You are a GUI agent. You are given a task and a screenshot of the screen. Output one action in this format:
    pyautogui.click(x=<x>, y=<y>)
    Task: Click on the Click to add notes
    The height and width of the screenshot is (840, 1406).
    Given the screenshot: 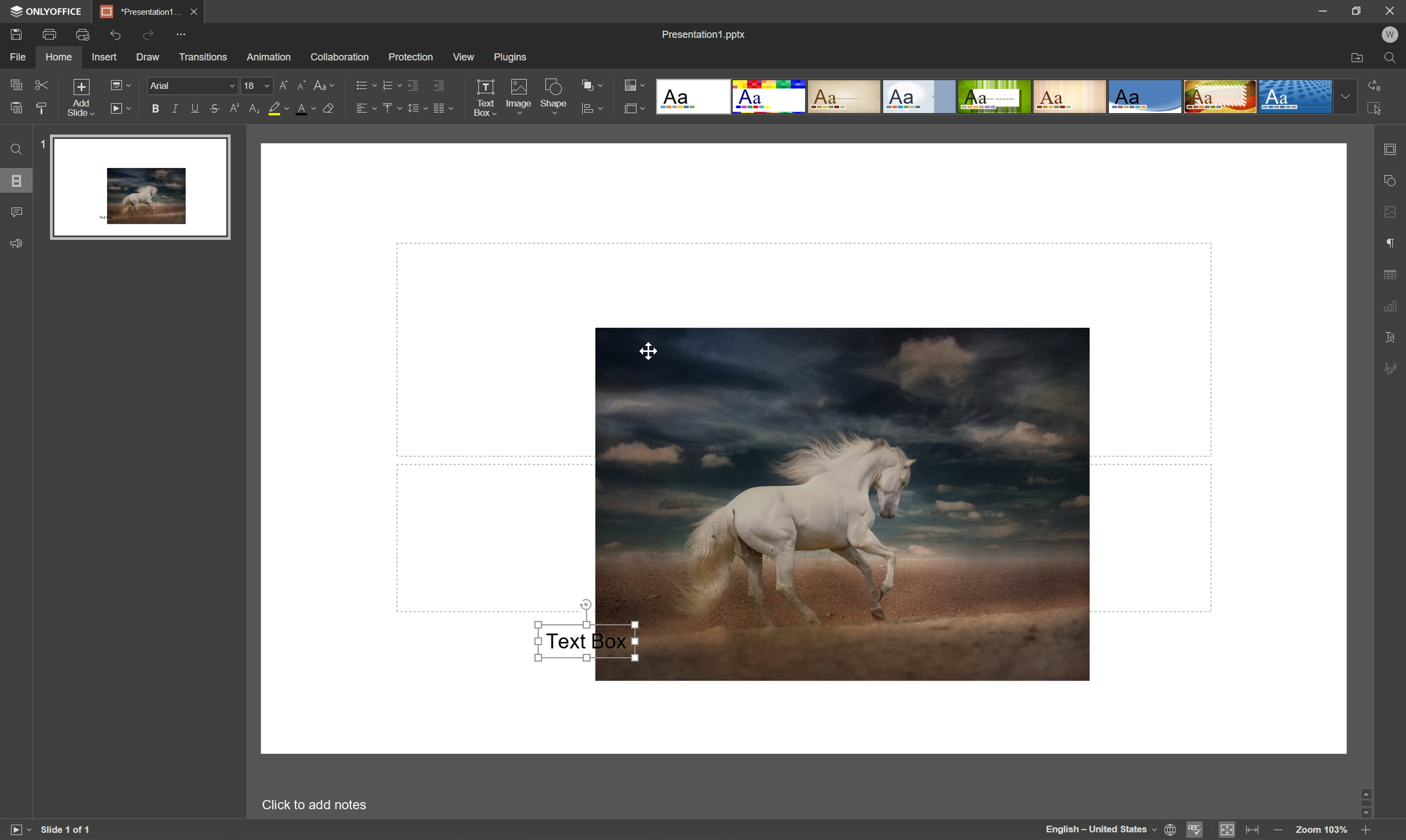 What is the action you would take?
    pyautogui.click(x=320, y=807)
    